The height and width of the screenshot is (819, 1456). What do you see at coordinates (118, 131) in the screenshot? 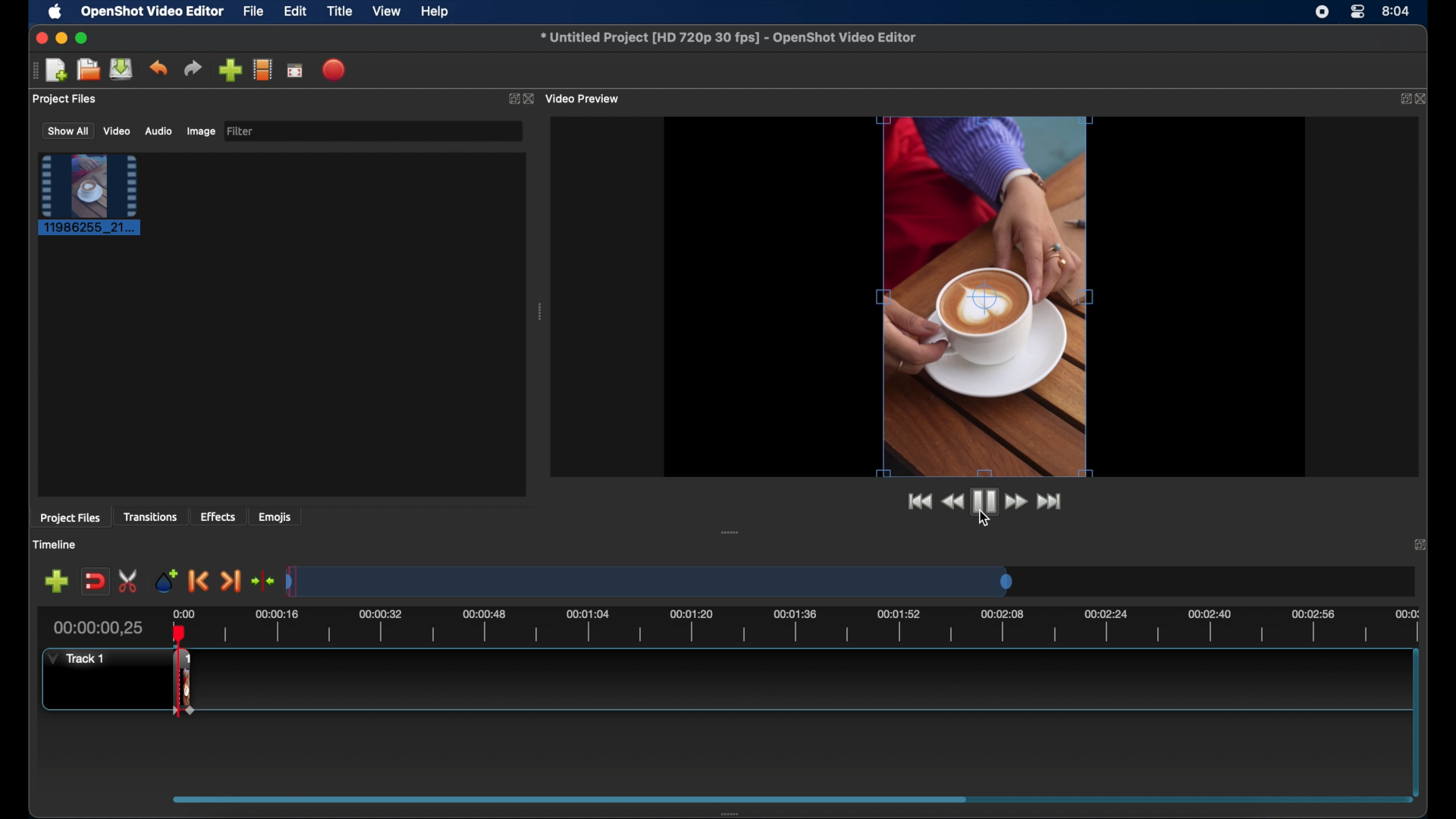
I see `video` at bounding box center [118, 131].